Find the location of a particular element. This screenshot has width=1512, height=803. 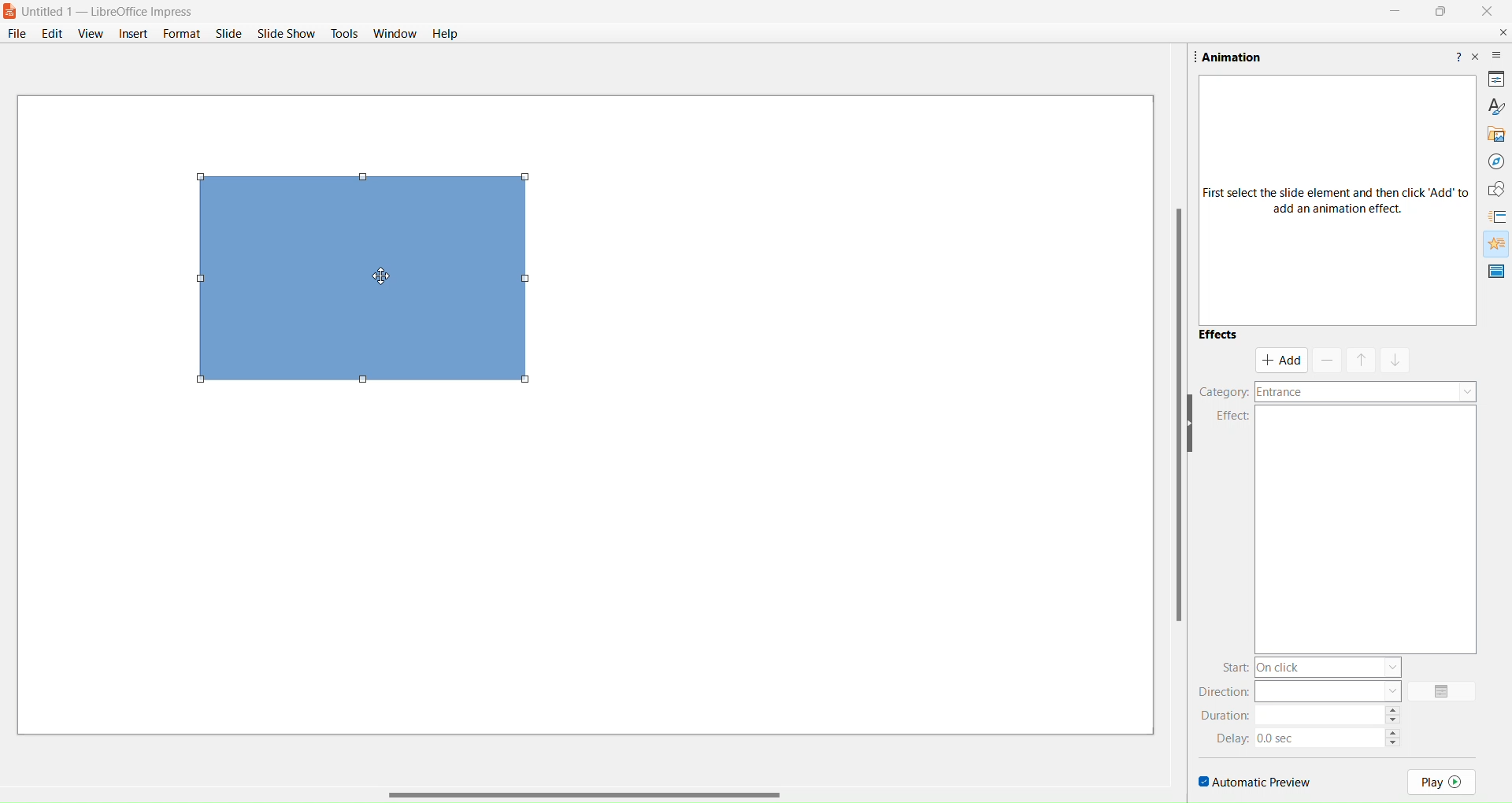

automatic preview is located at coordinates (1254, 779).